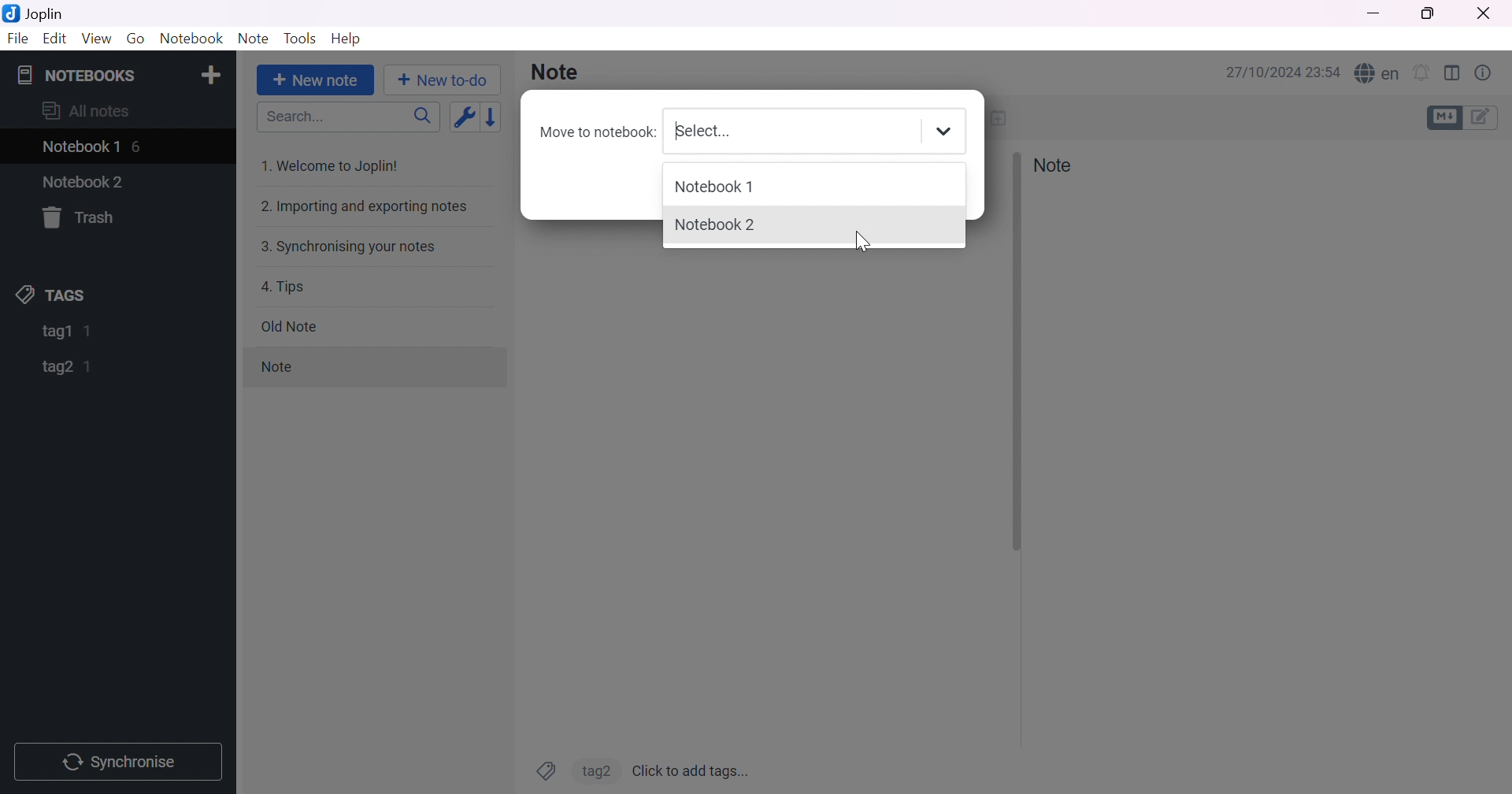 This screenshot has width=1512, height=794. What do you see at coordinates (462, 119) in the screenshot?
I see `Toggle sort order field: updated date -> created date` at bounding box center [462, 119].